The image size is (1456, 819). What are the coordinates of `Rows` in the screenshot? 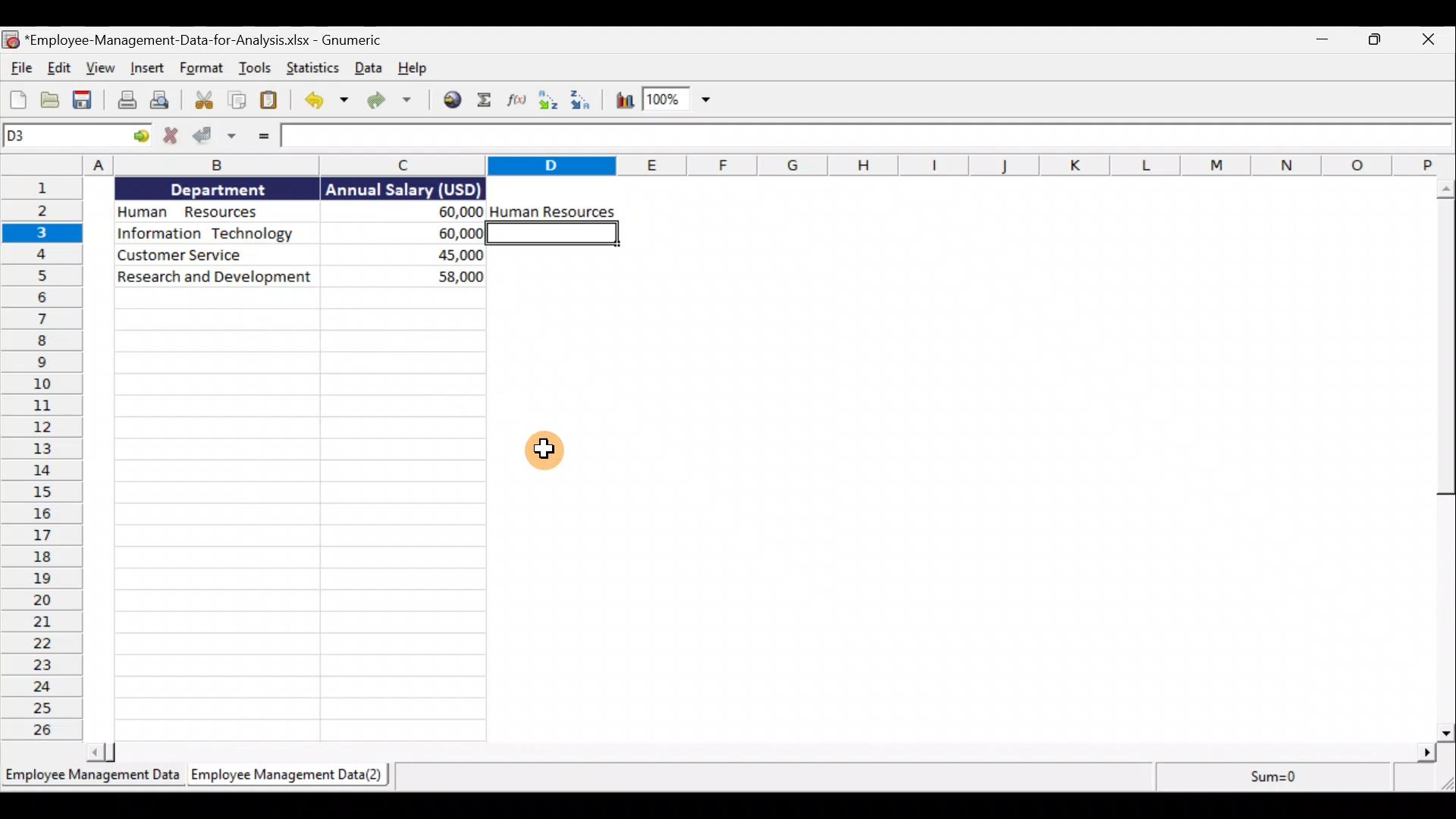 It's located at (41, 459).